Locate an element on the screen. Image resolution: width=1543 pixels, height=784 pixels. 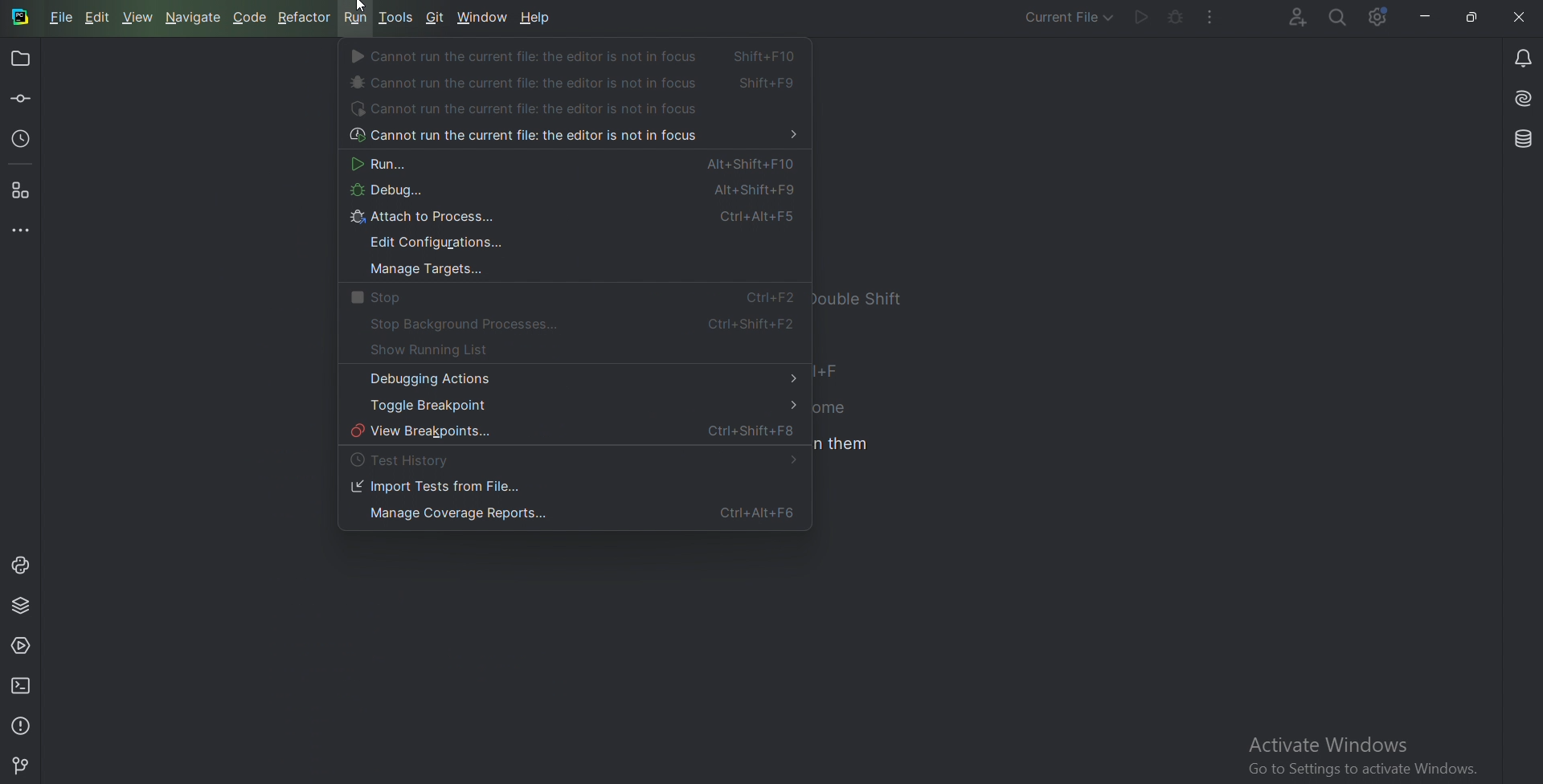
Test history is located at coordinates (408, 461).